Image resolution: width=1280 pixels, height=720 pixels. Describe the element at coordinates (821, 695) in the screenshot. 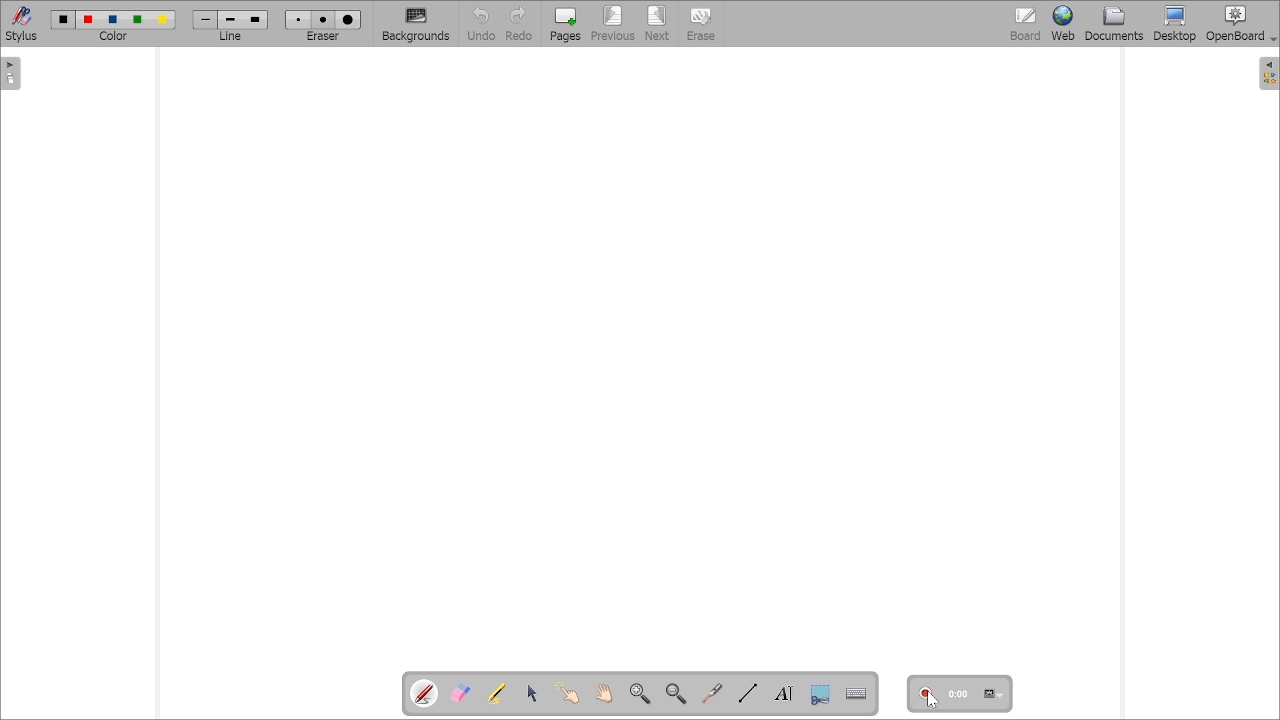

I see `Capture part of the screen` at that location.